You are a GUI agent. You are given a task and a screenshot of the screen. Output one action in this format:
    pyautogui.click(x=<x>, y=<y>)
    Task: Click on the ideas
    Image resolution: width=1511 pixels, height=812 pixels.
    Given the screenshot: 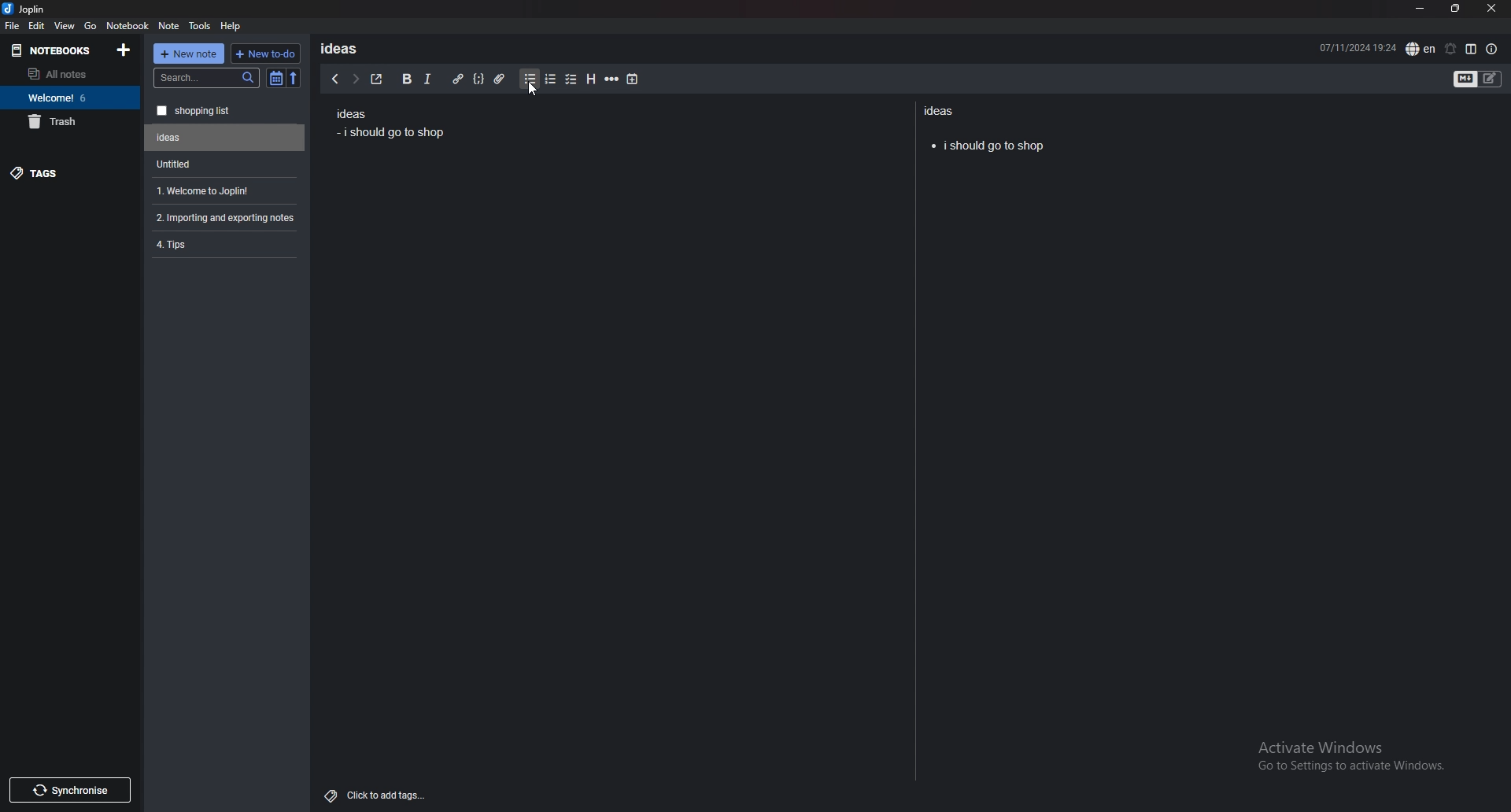 What is the action you would take?
    pyautogui.click(x=345, y=48)
    